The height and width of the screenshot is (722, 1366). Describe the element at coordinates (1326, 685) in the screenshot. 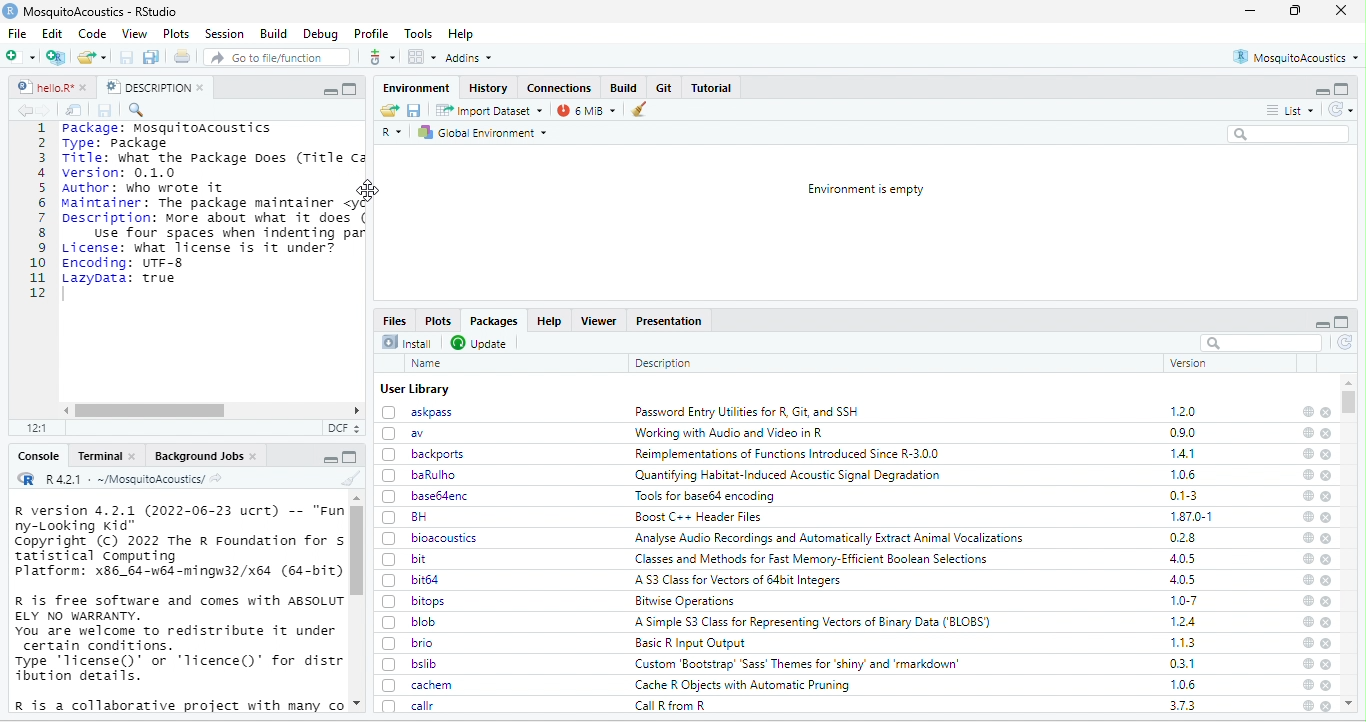

I see `close` at that location.